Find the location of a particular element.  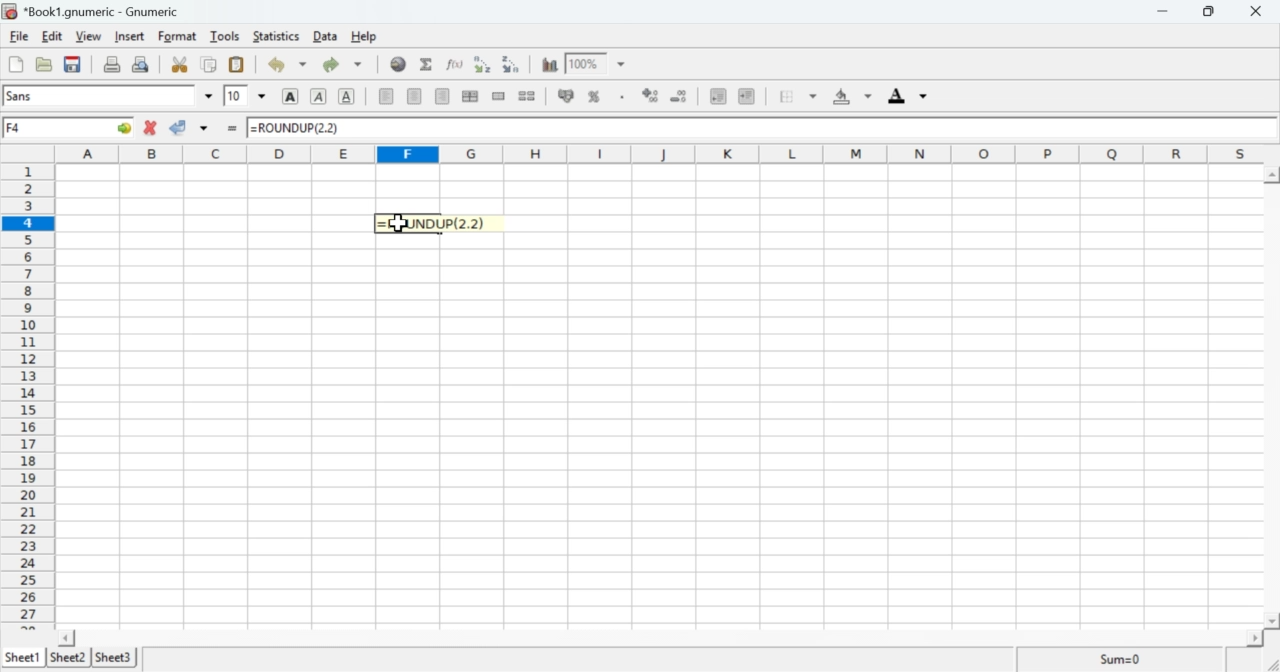

Increase indent is located at coordinates (746, 94).